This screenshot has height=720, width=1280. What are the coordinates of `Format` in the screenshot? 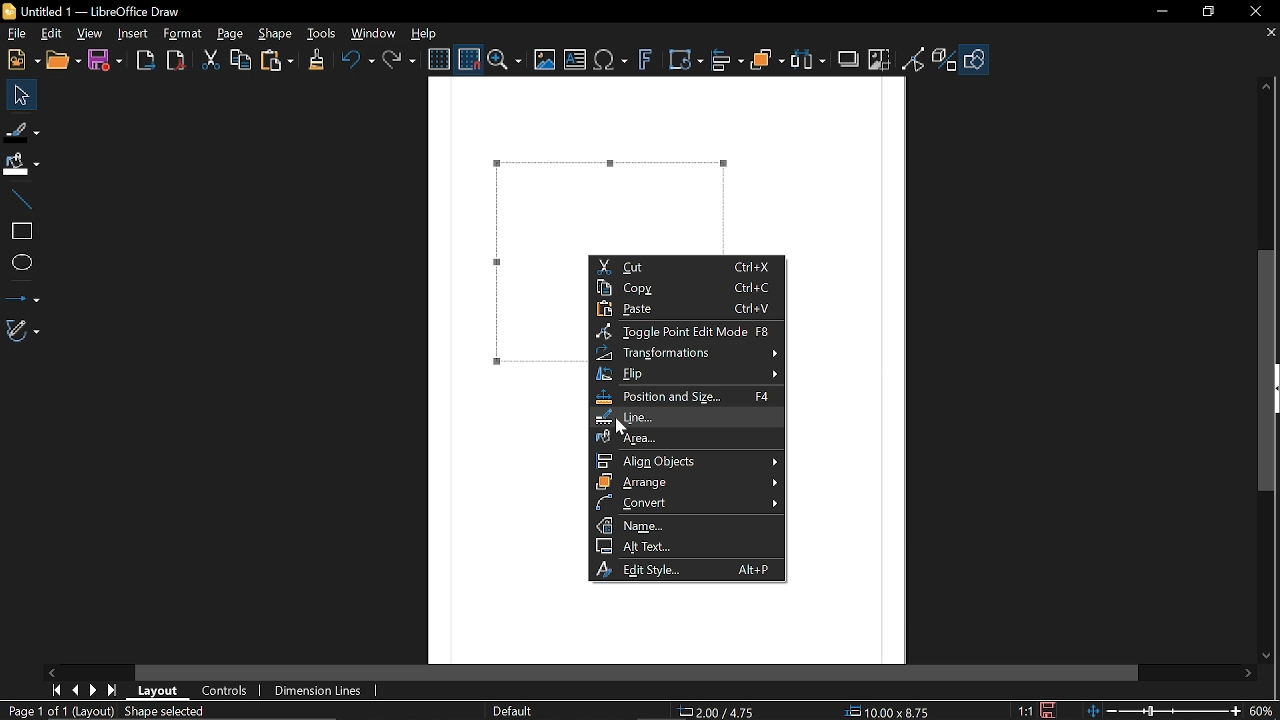 It's located at (183, 34).